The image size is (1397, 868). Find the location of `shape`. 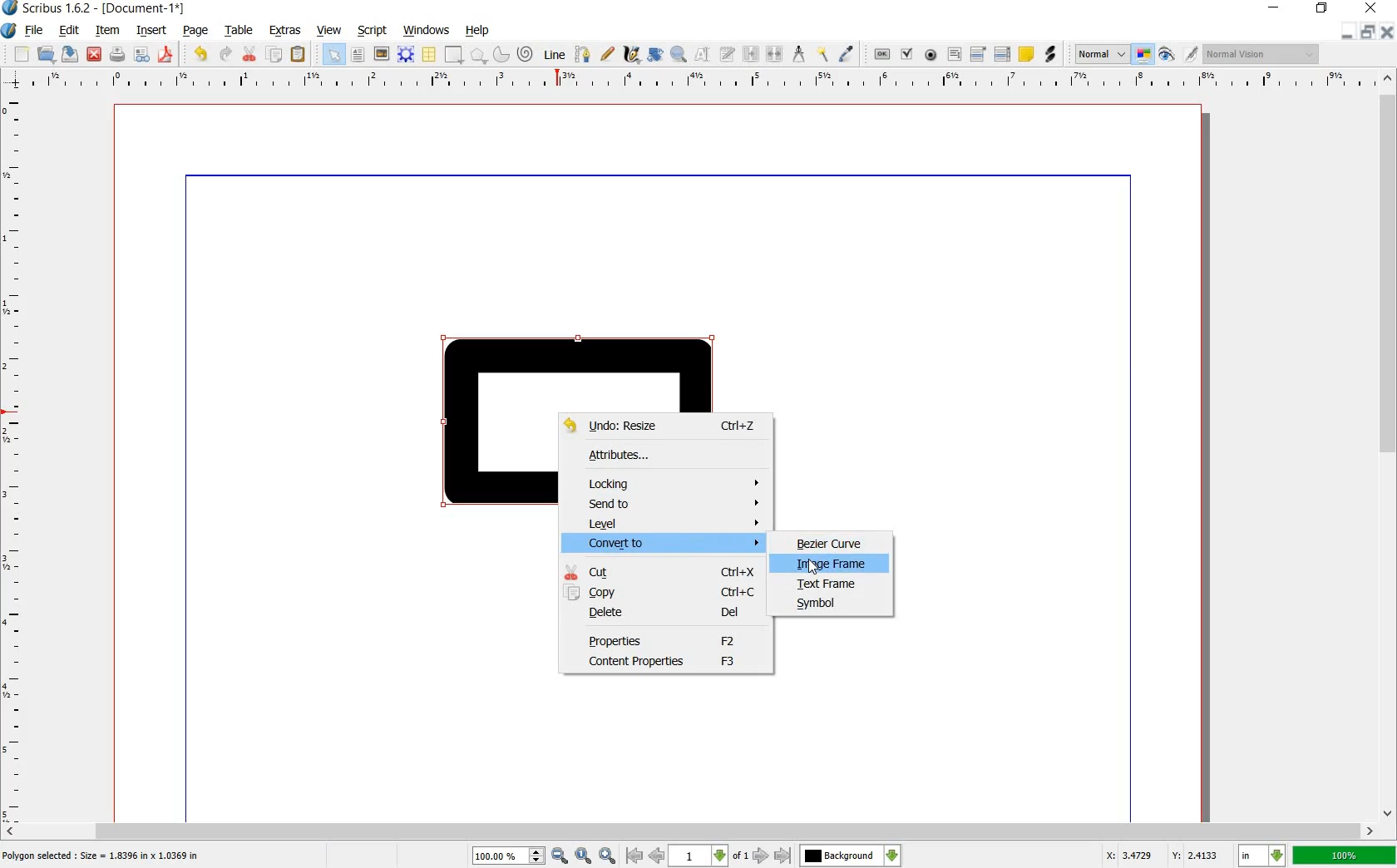

shape is located at coordinates (452, 55).